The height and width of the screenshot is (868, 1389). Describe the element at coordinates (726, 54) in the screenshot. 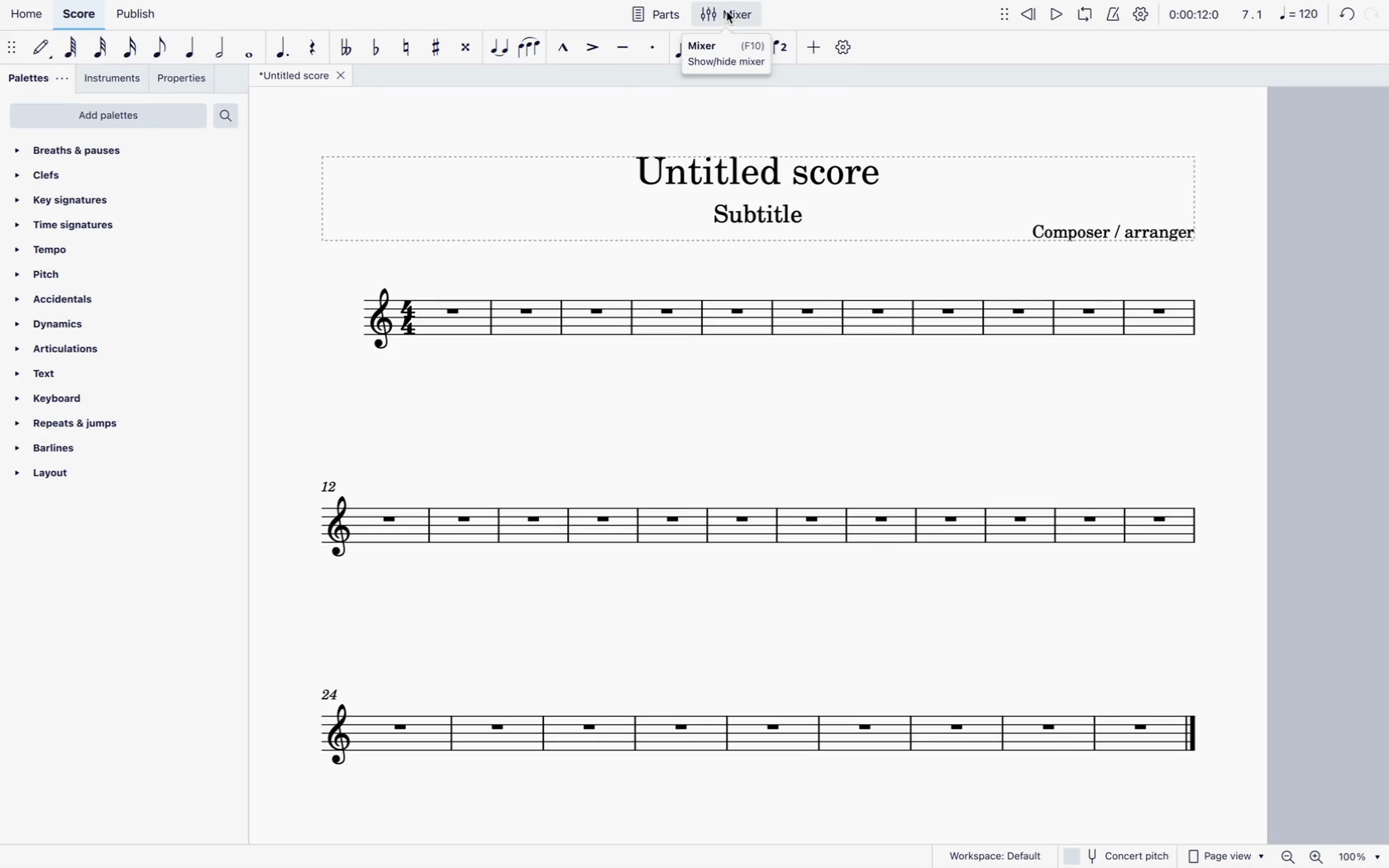

I see `mixer` at that location.